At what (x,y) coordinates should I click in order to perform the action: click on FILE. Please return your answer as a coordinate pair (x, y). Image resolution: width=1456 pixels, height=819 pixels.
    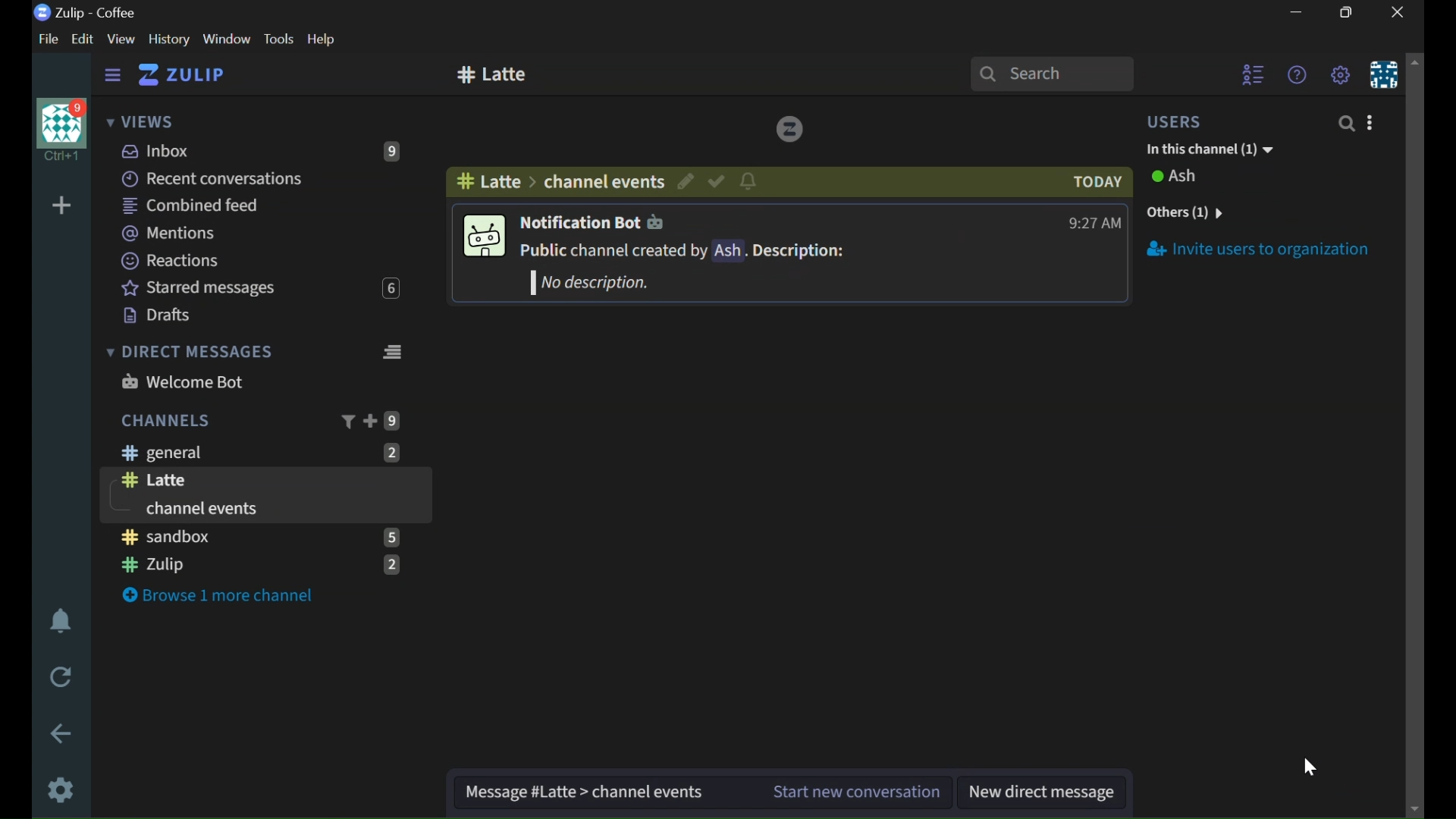
    Looking at the image, I should click on (45, 39).